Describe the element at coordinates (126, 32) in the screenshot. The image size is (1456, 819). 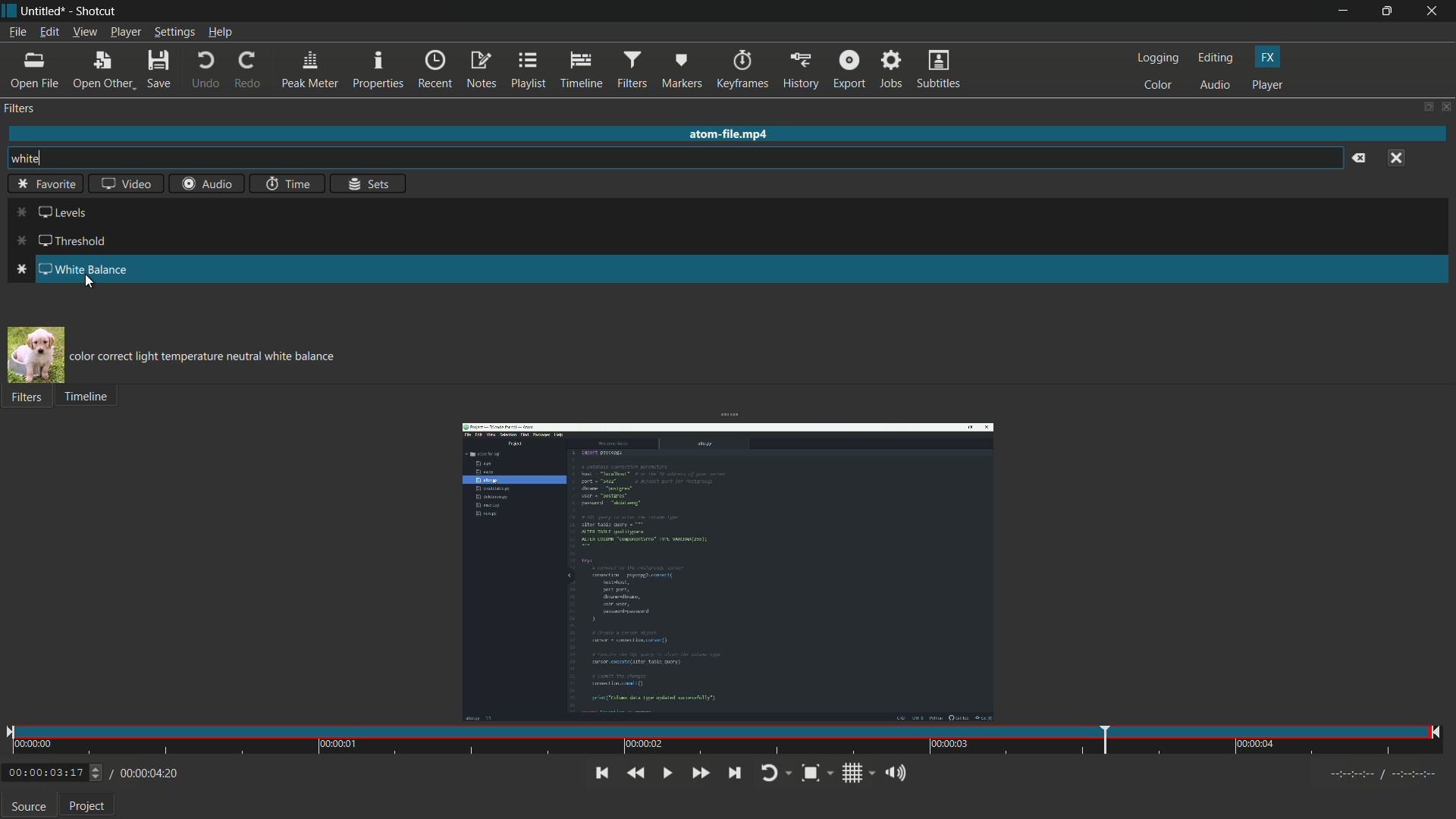
I see `player menu` at that location.